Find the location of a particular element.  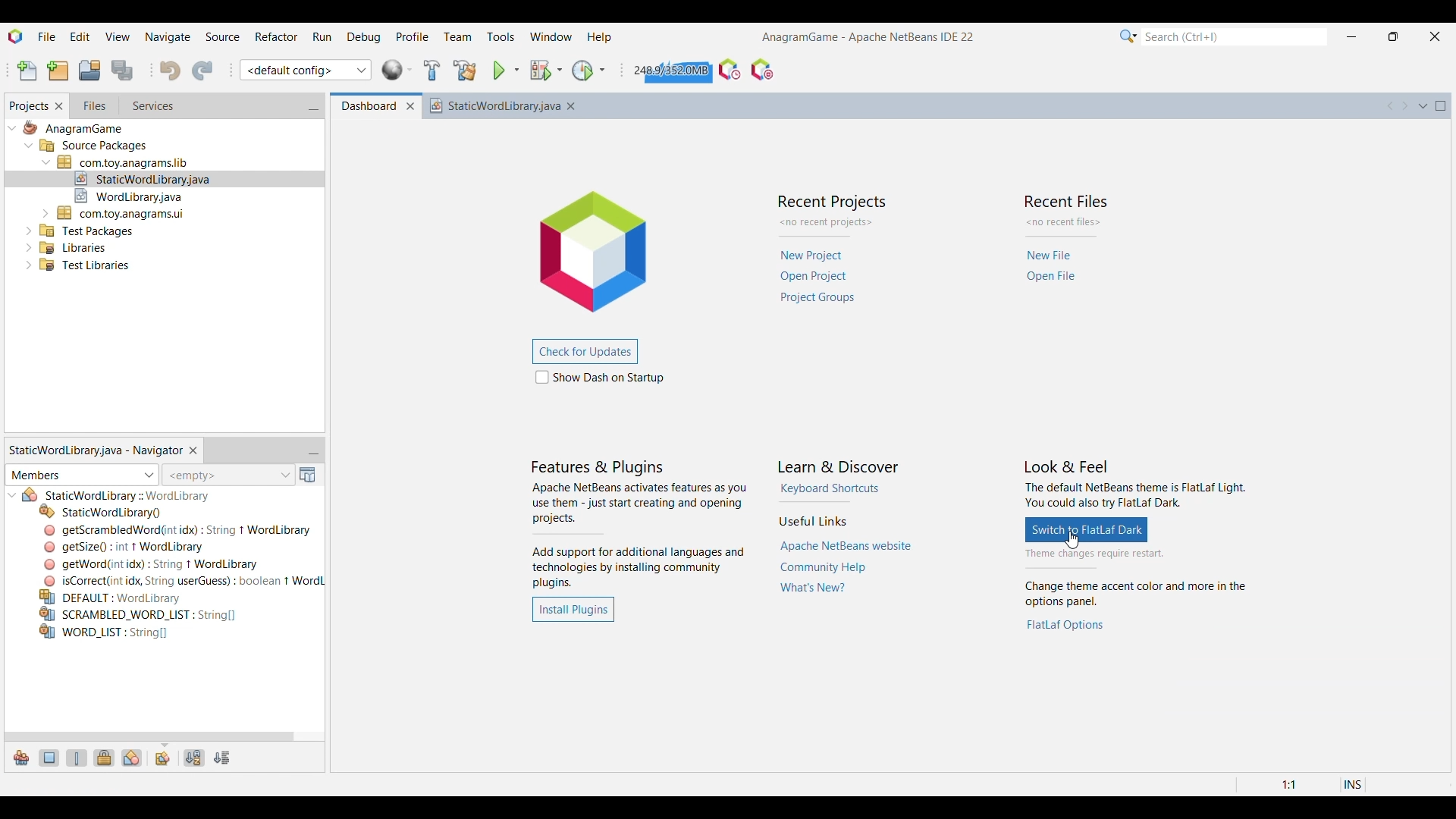

World Library is located at coordinates (397, 70).